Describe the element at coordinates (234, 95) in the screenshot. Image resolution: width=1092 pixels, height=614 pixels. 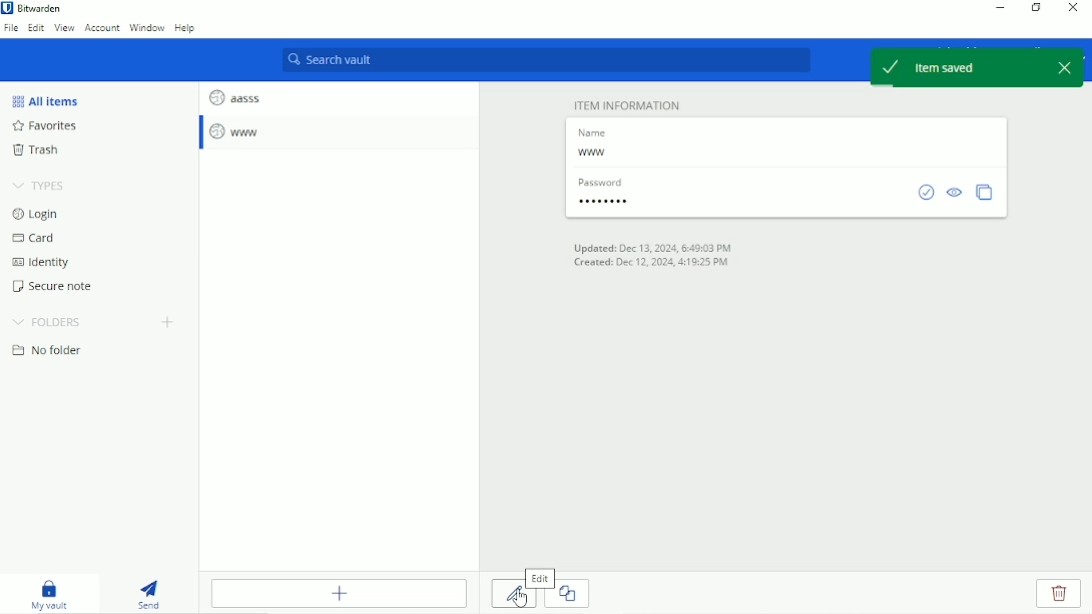
I see `aasss` at that location.